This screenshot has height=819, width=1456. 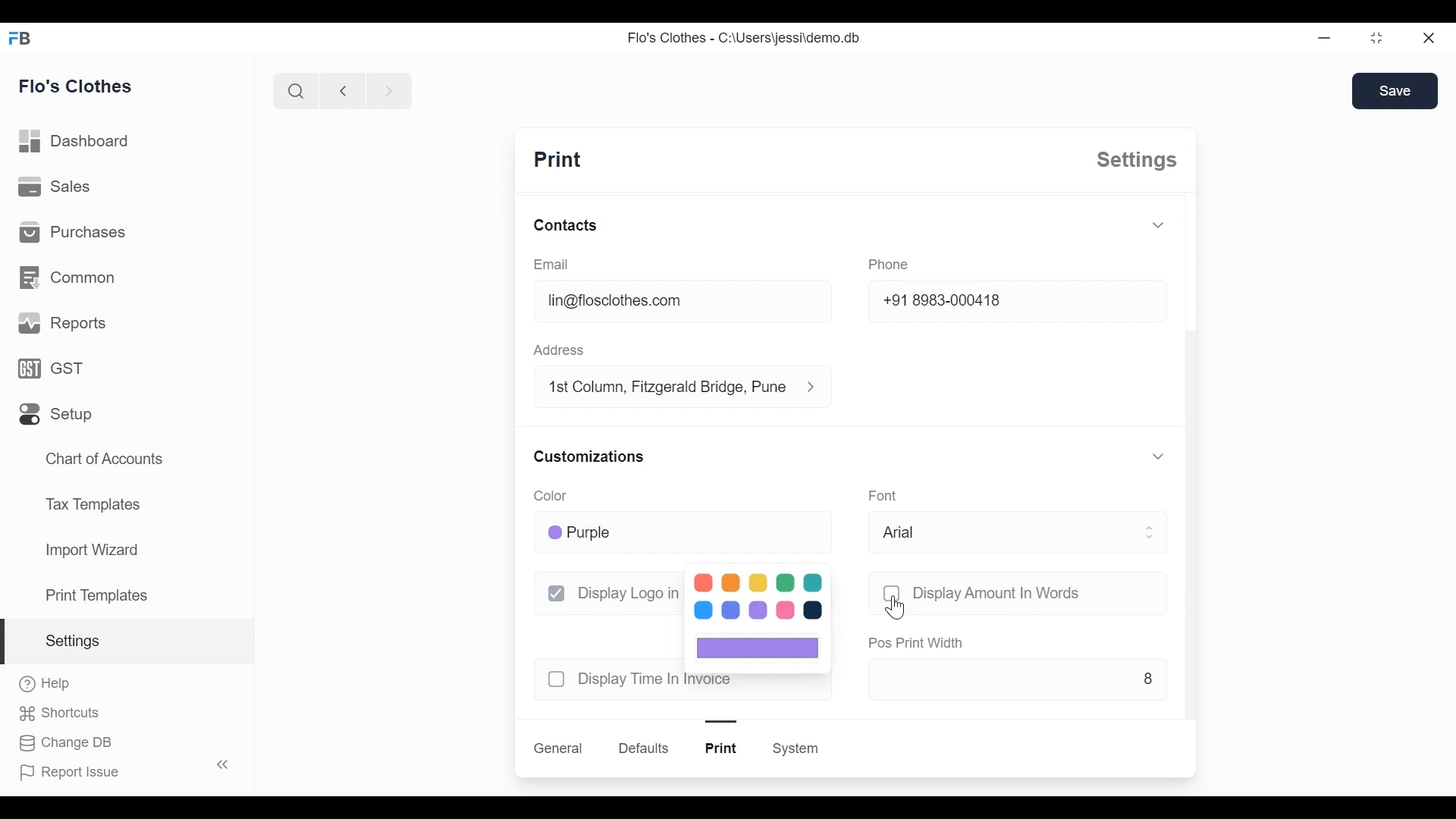 I want to click on address, so click(x=558, y=350).